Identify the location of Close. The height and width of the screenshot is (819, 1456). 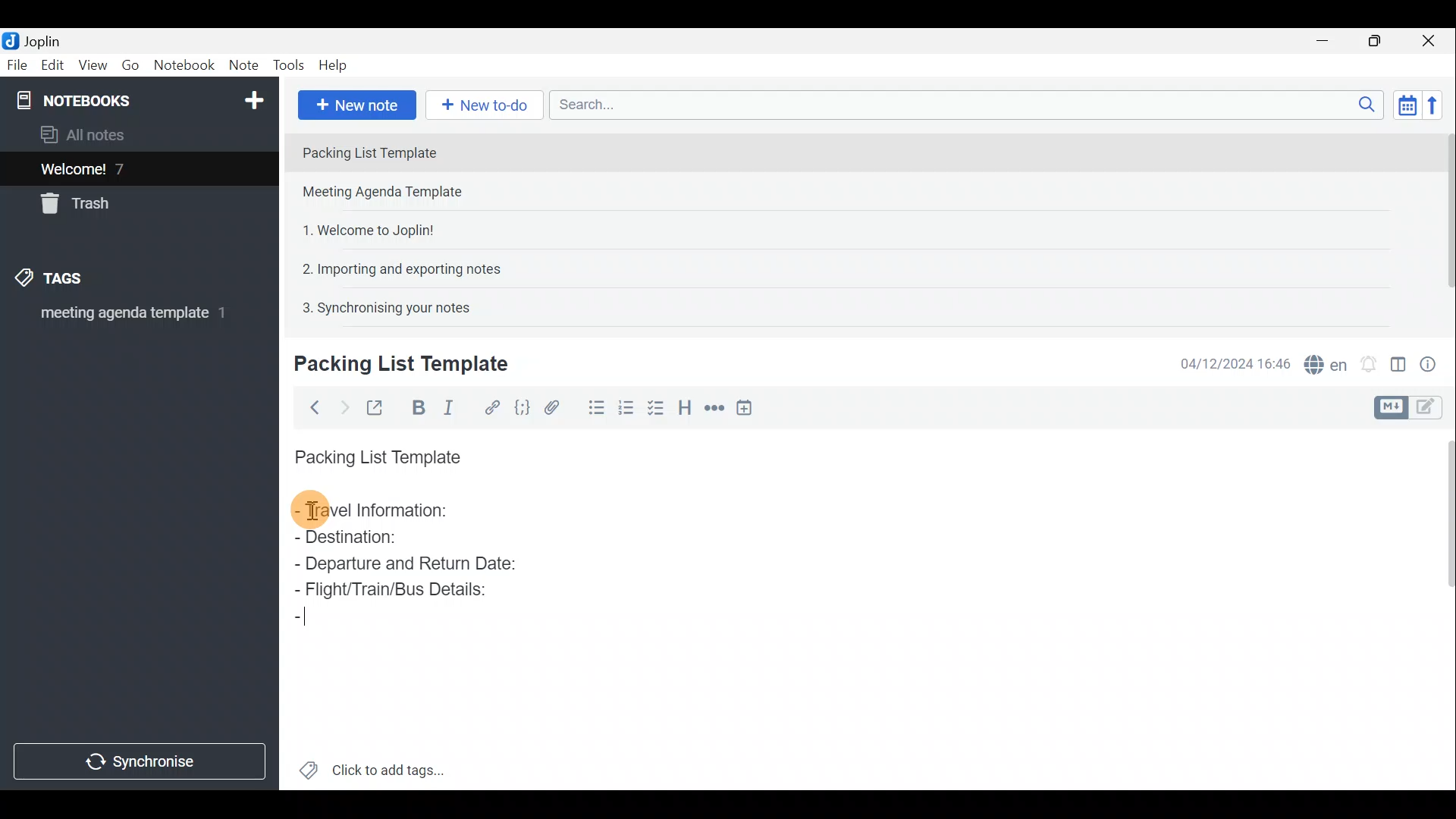
(1433, 40).